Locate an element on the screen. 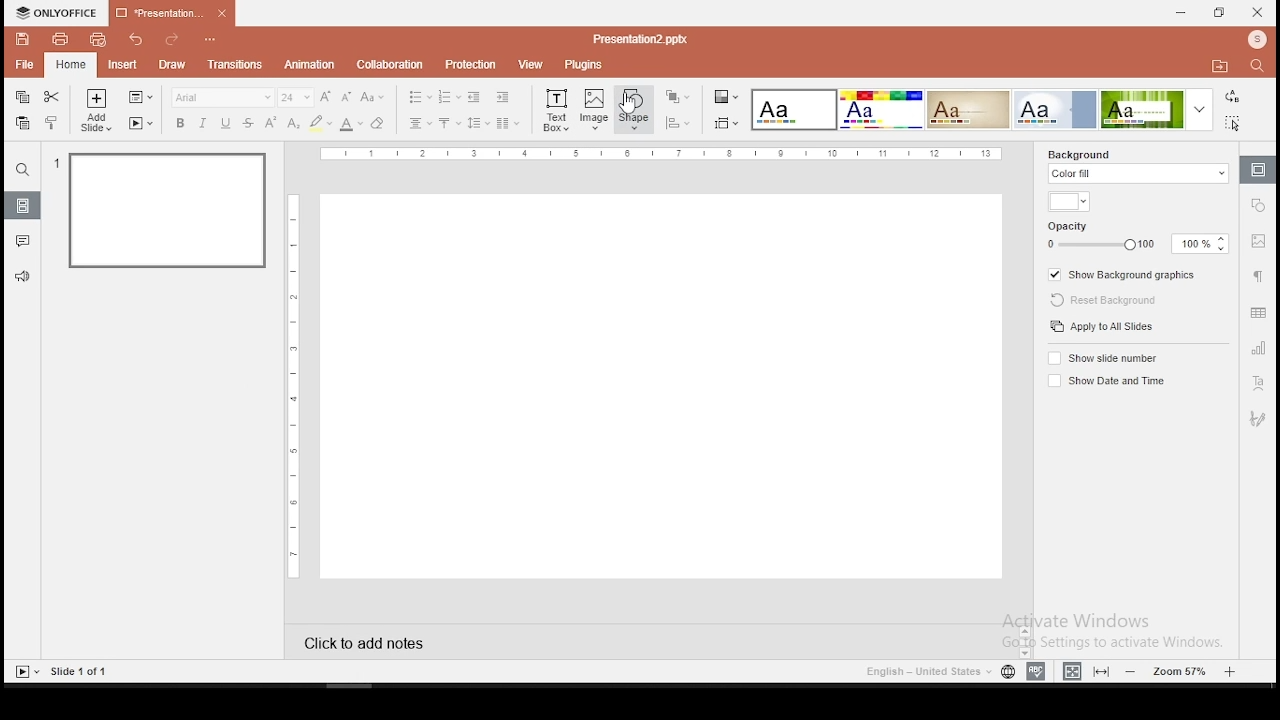 The image size is (1280, 720). table settings is located at coordinates (1258, 312).